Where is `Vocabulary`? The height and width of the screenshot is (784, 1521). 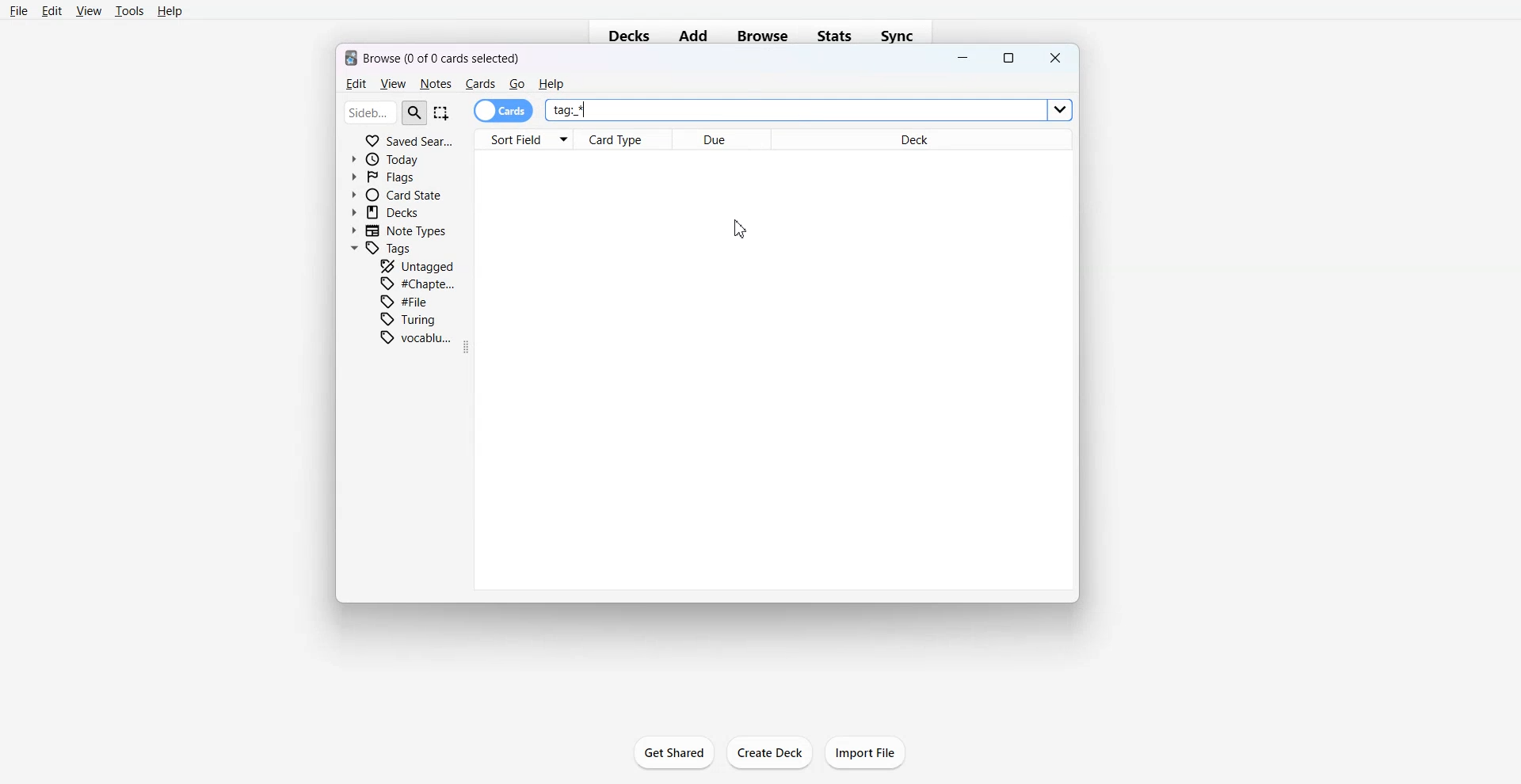
Vocabulary is located at coordinates (416, 337).